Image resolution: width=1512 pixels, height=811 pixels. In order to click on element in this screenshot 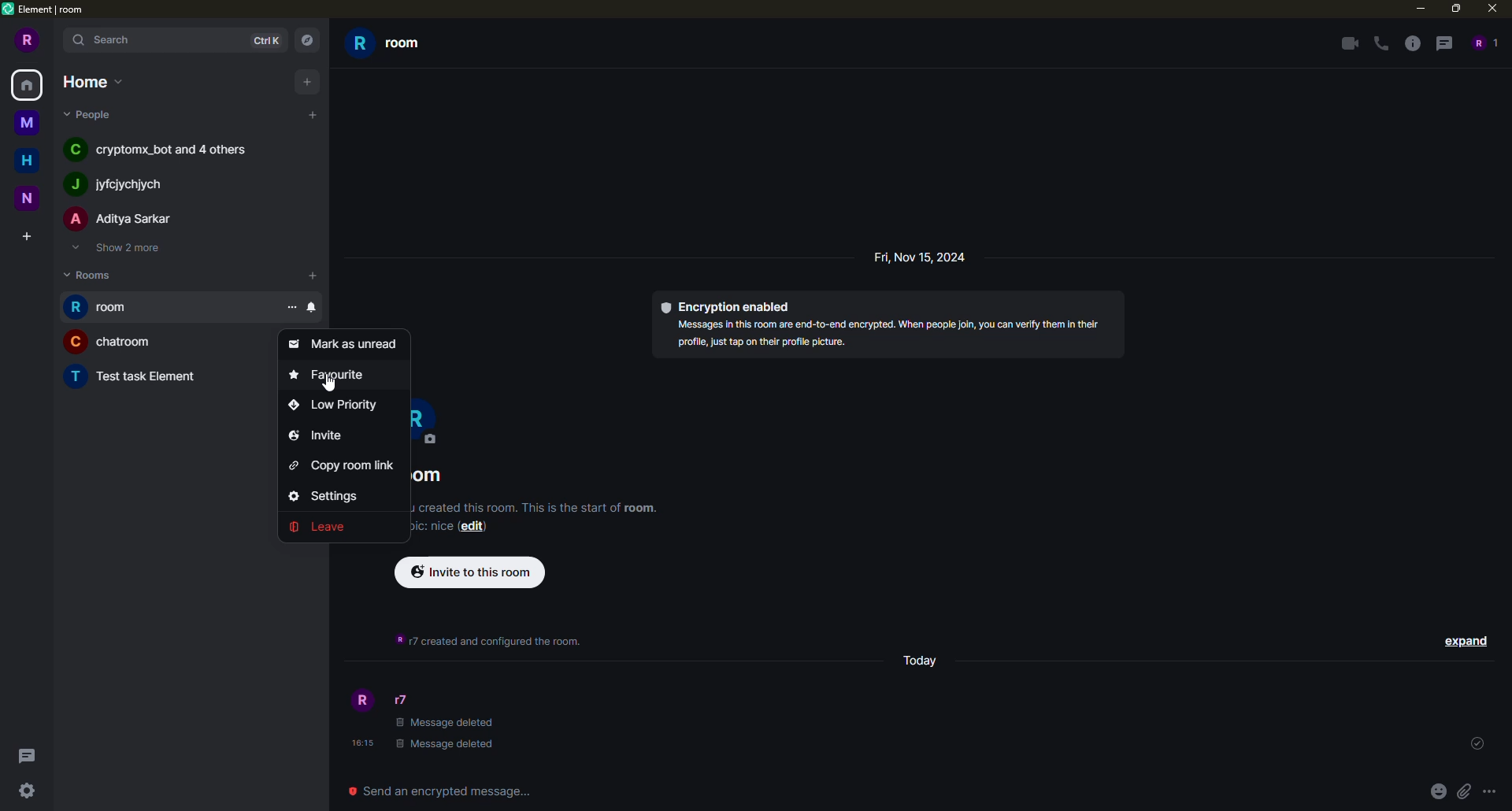, I will do `click(47, 9)`.